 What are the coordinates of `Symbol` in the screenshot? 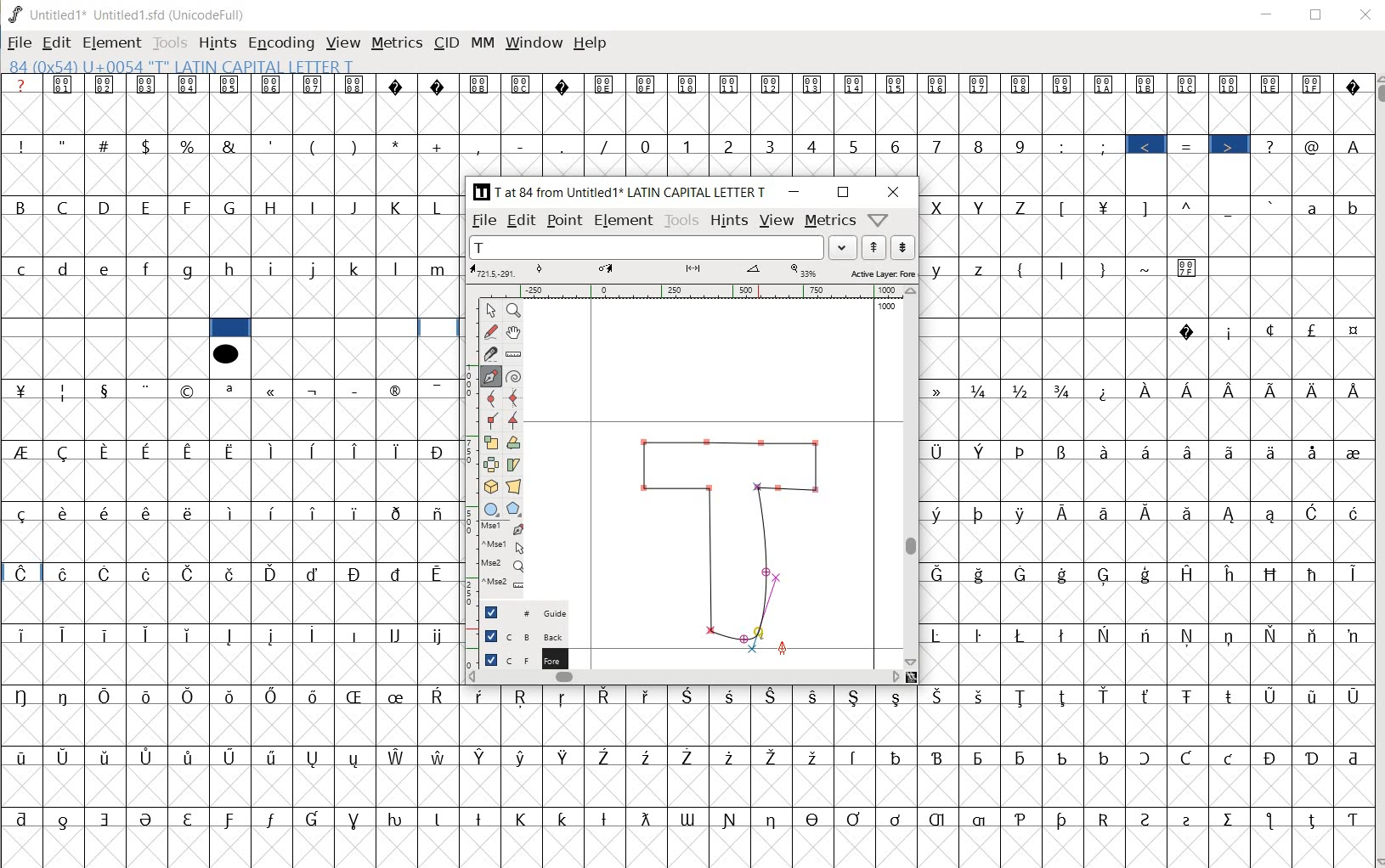 It's located at (1230, 759).